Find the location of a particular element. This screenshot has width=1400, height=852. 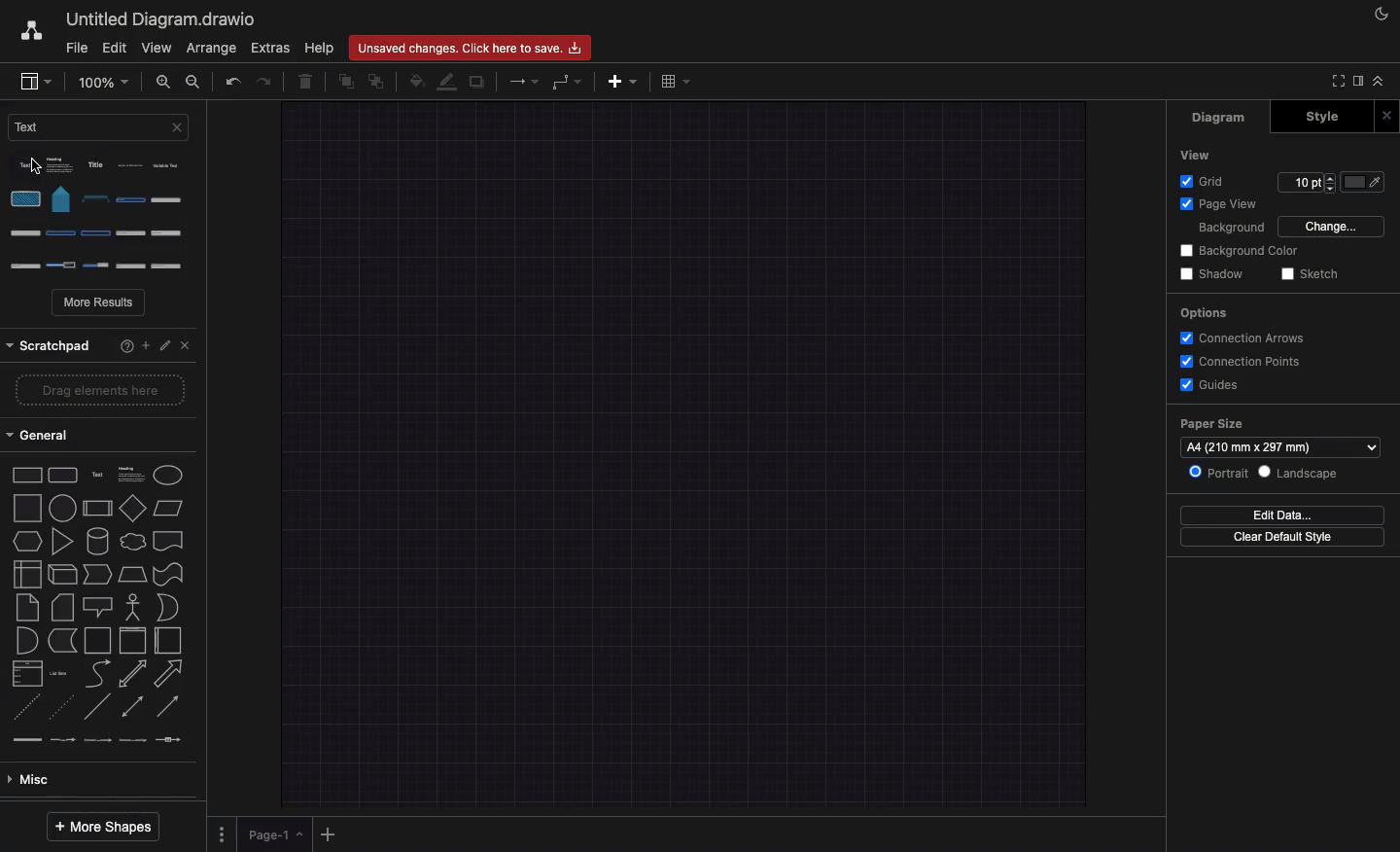

Undo is located at coordinates (232, 83).